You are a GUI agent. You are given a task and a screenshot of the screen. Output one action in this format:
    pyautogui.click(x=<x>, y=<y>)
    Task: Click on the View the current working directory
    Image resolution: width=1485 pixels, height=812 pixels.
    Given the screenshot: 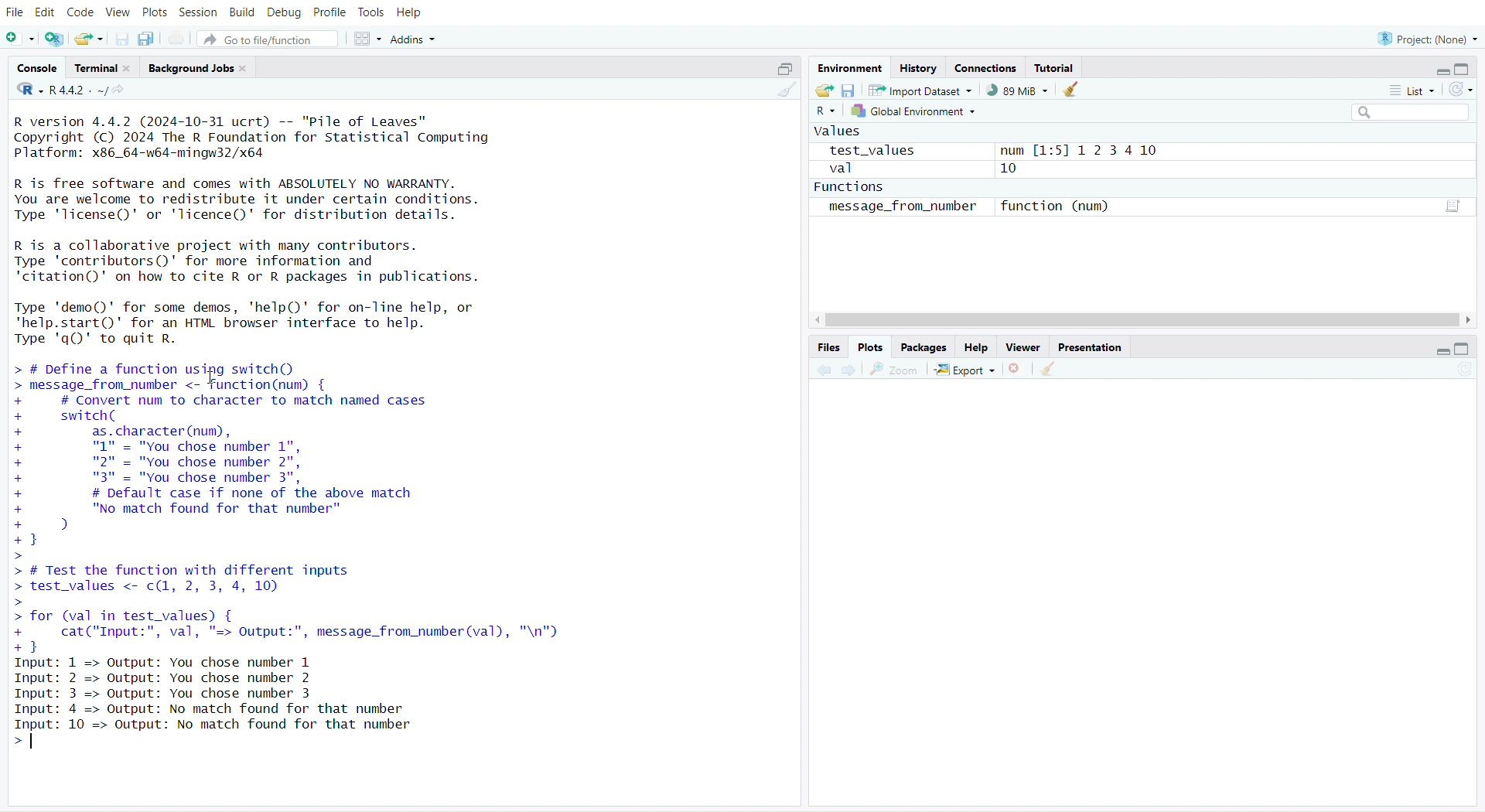 What is the action you would take?
    pyautogui.click(x=124, y=92)
    